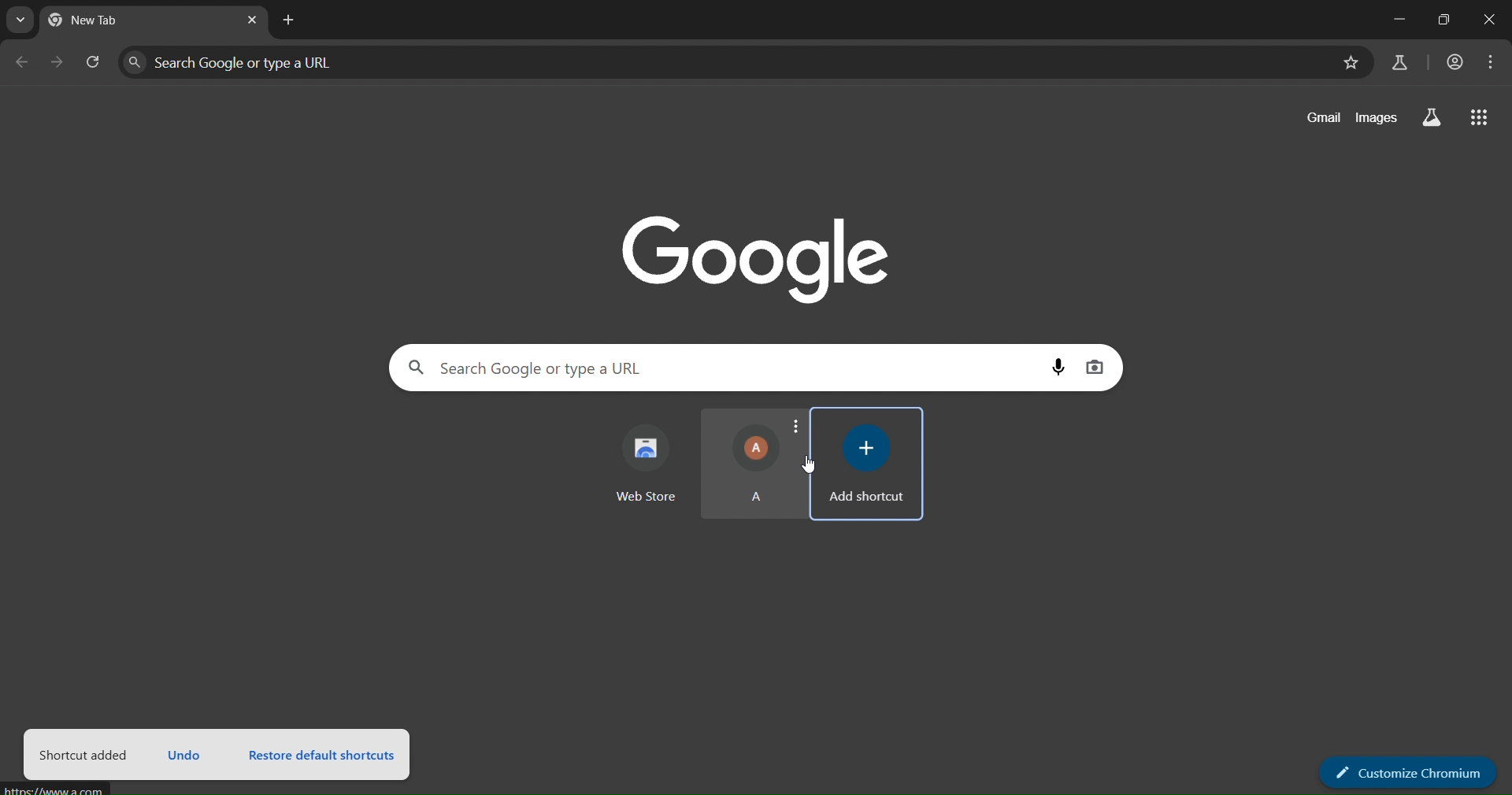  Describe the element at coordinates (1398, 62) in the screenshot. I see `search labs` at that location.